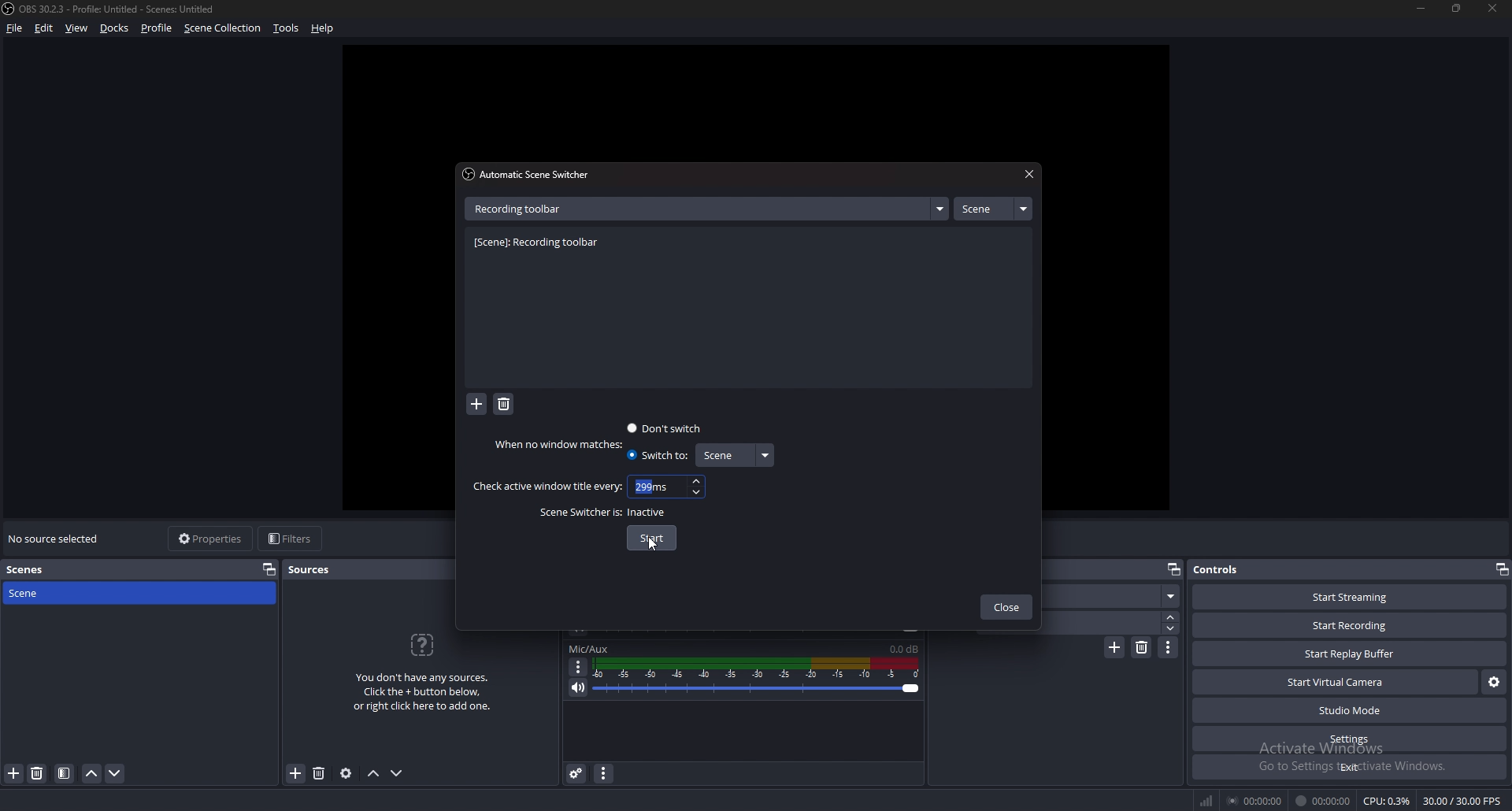 This screenshot has width=1512, height=811. I want to click on resize, so click(1458, 8).